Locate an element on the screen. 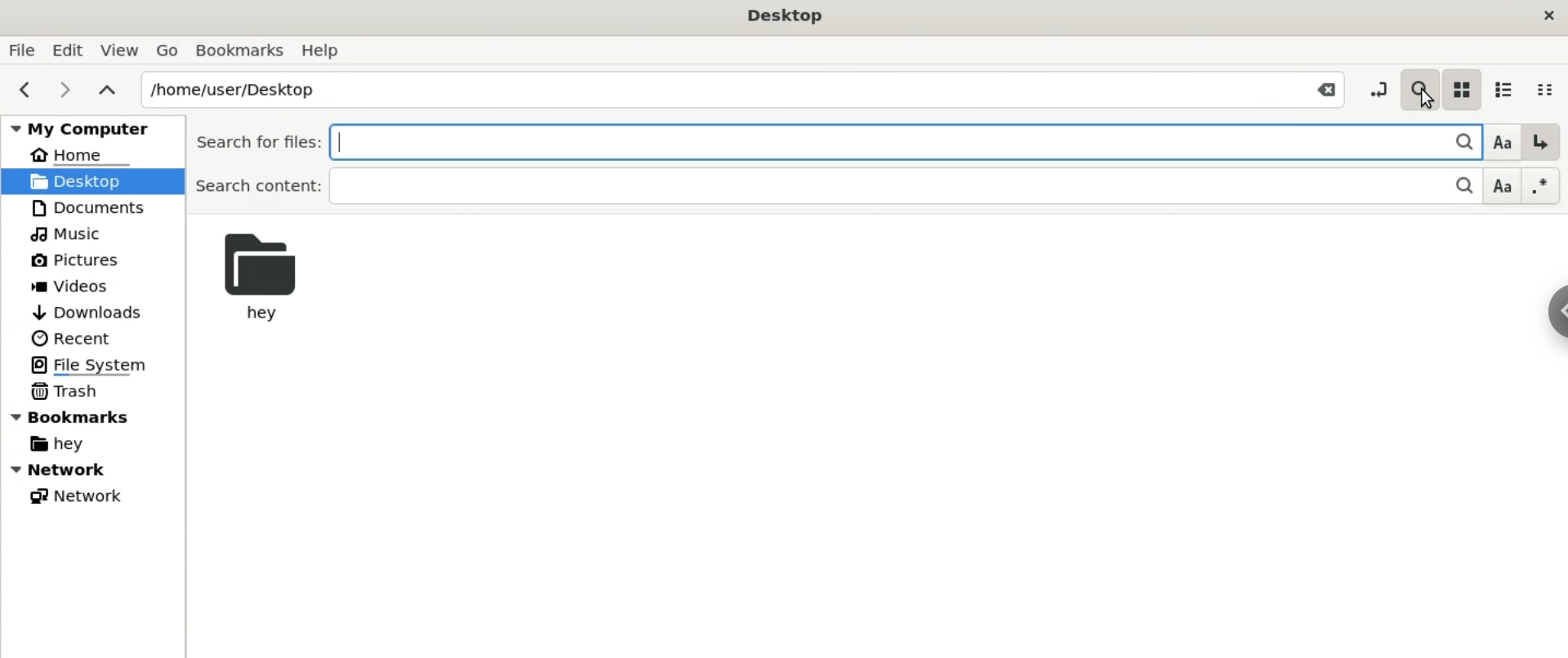 This screenshot has height=658, width=1568. Font is located at coordinates (1503, 187).